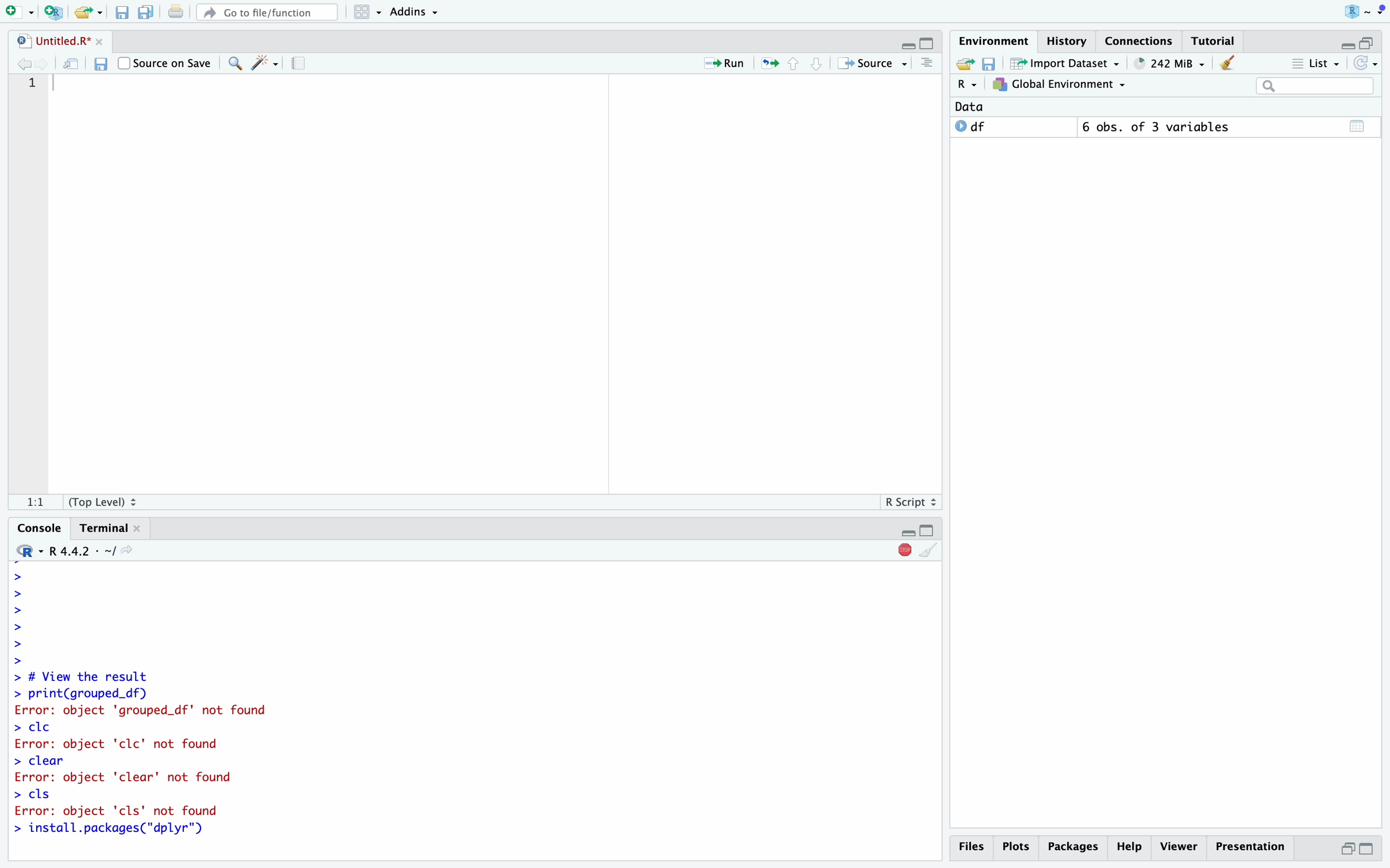 This screenshot has height=868, width=1390. Describe the element at coordinates (722, 64) in the screenshot. I see `Run current line` at that location.